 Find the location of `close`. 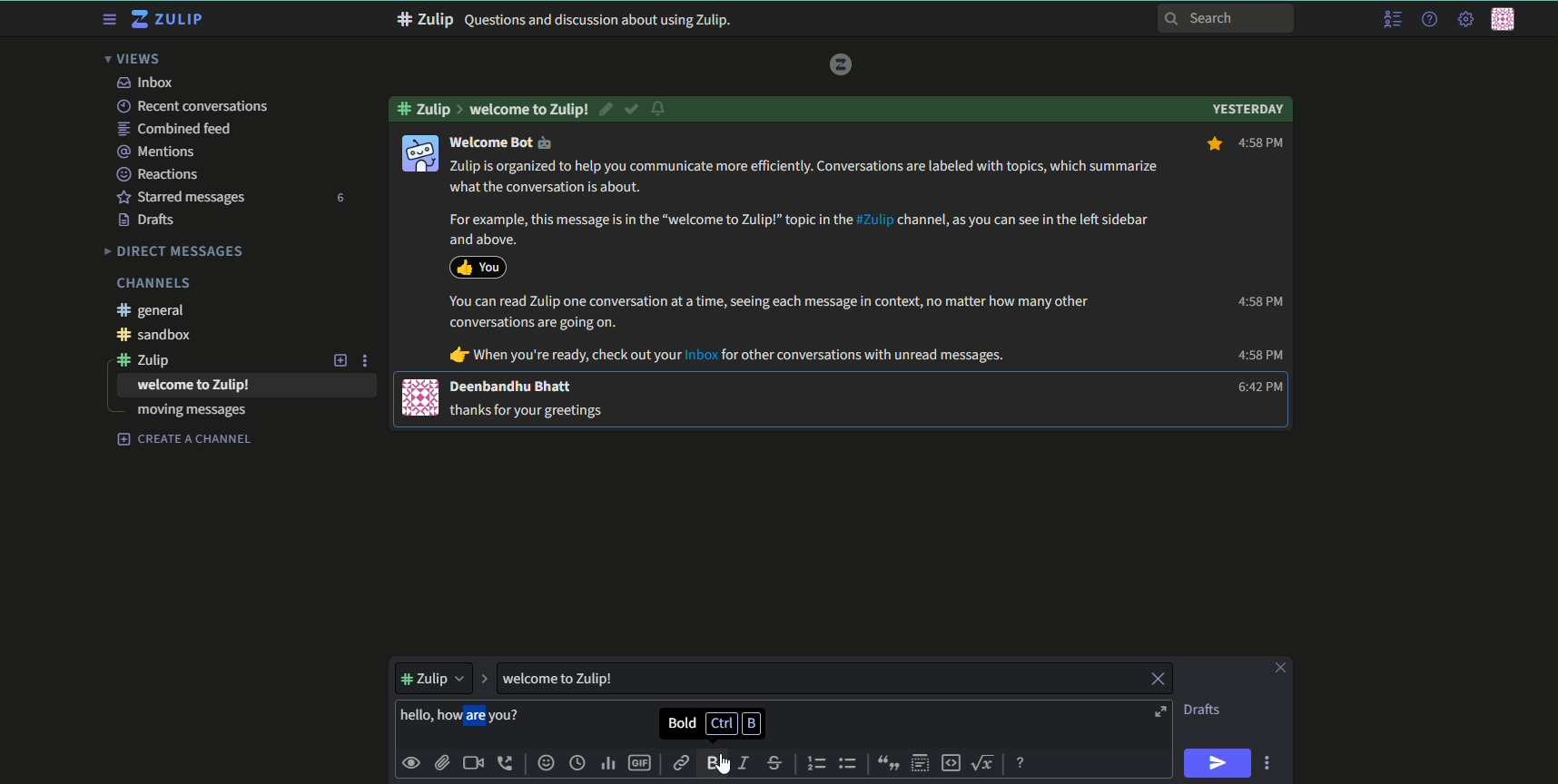

close is located at coordinates (1278, 668).